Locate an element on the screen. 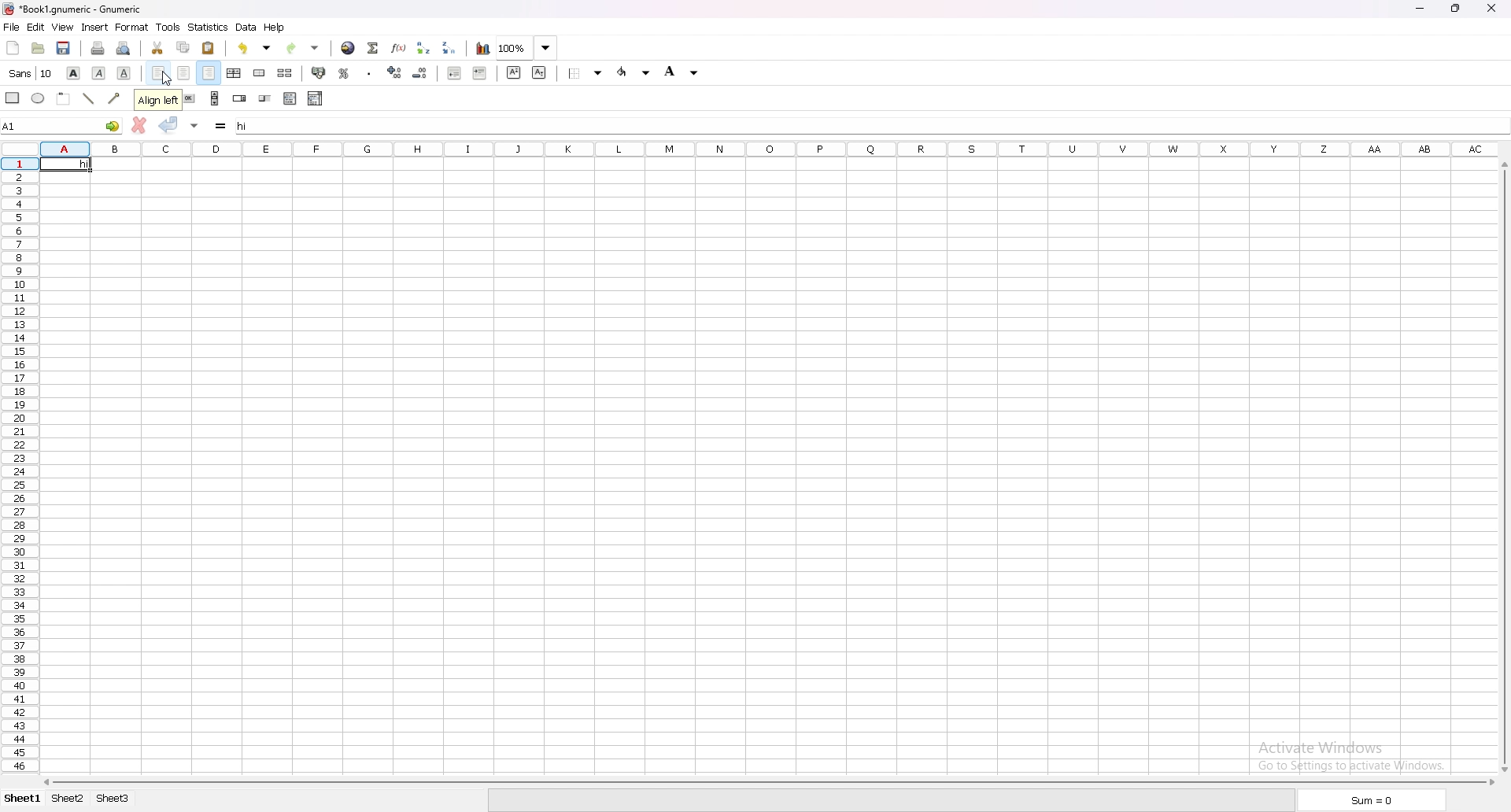 This screenshot has width=1511, height=812. sort ascending is located at coordinates (423, 47).